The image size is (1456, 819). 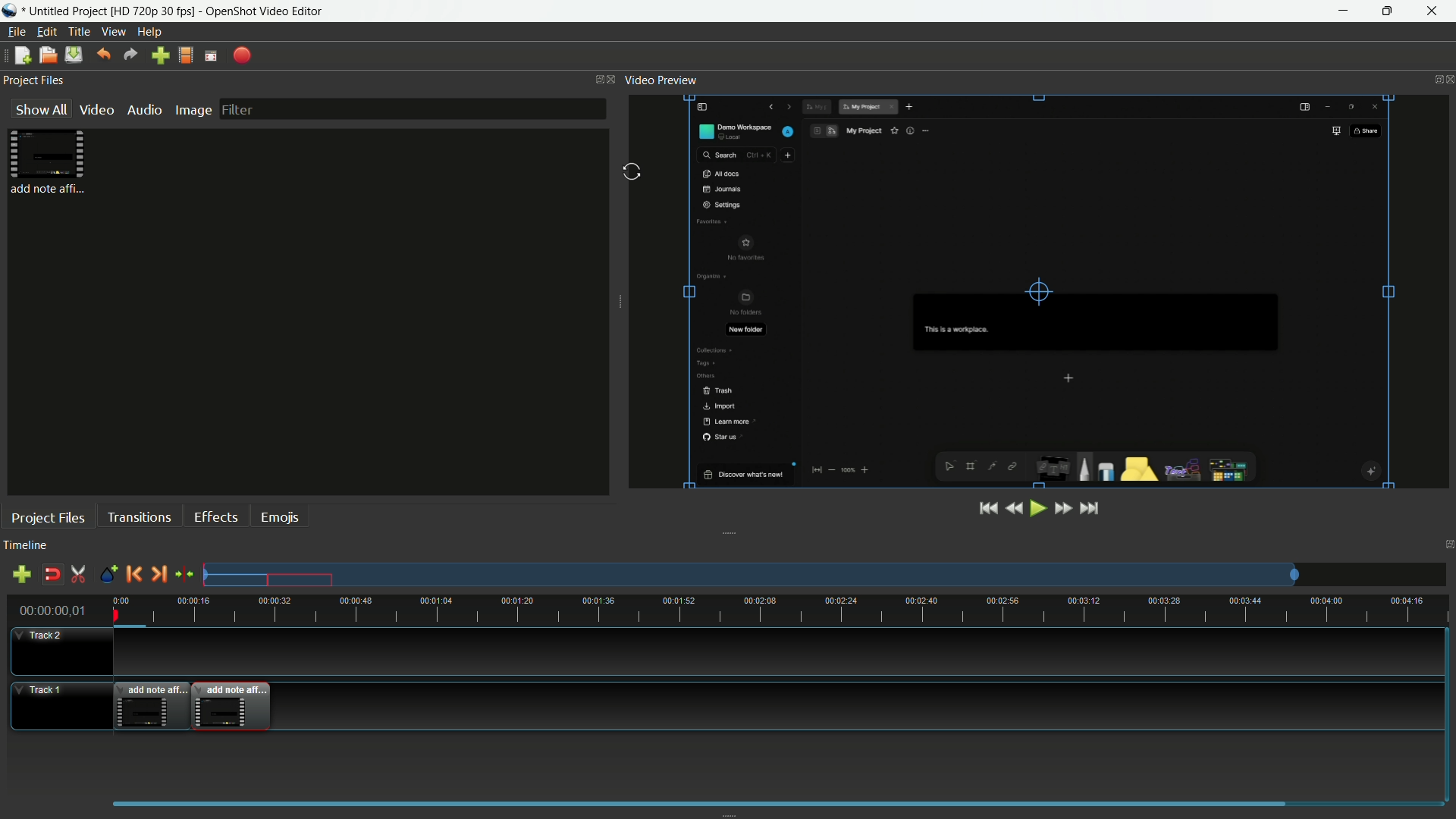 What do you see at coordinates (111, 11) in the screenshot?
I see `project name` at bounding box center [111, 11].